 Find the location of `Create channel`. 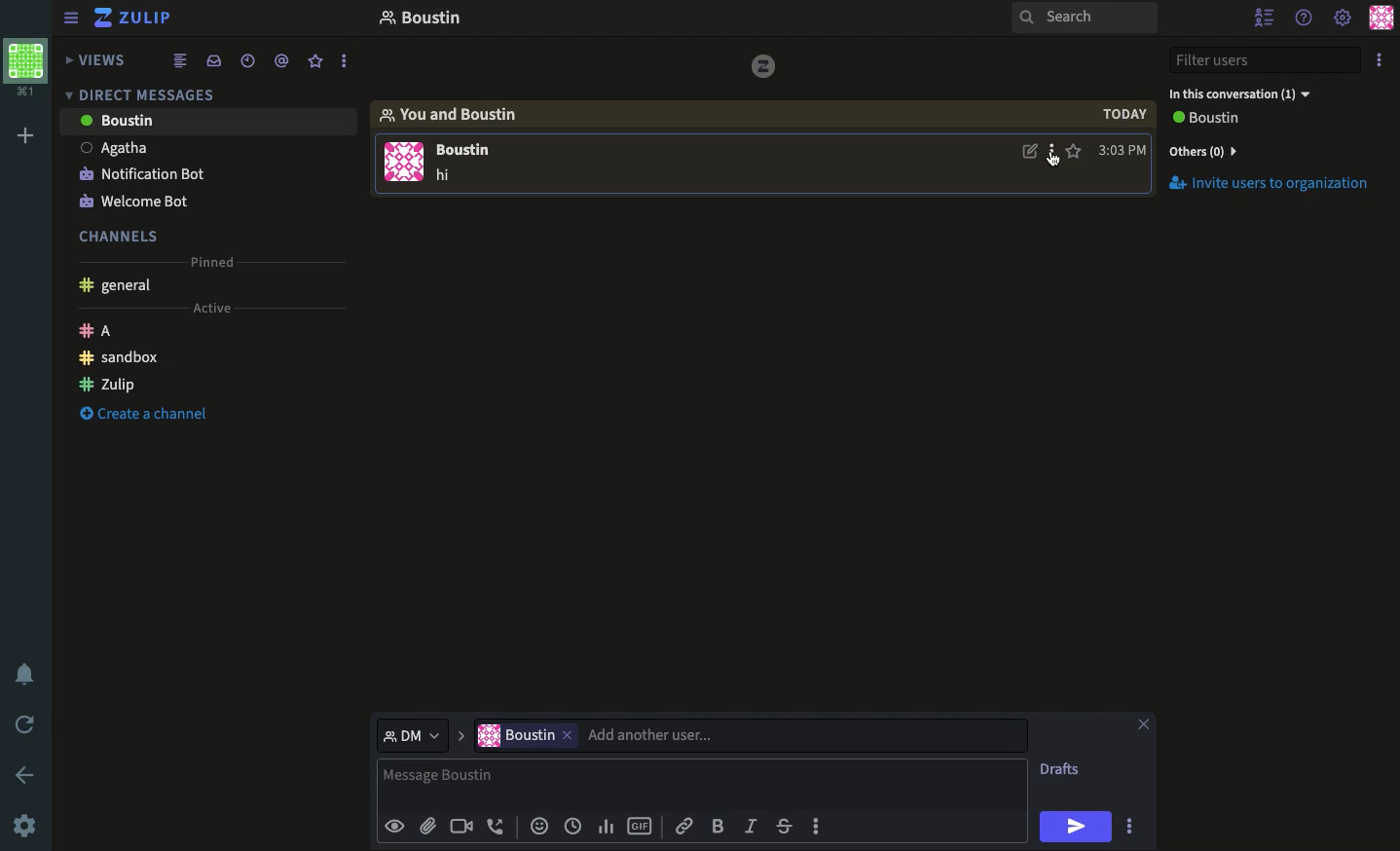

Create channel is located at coordinates (145, 416).